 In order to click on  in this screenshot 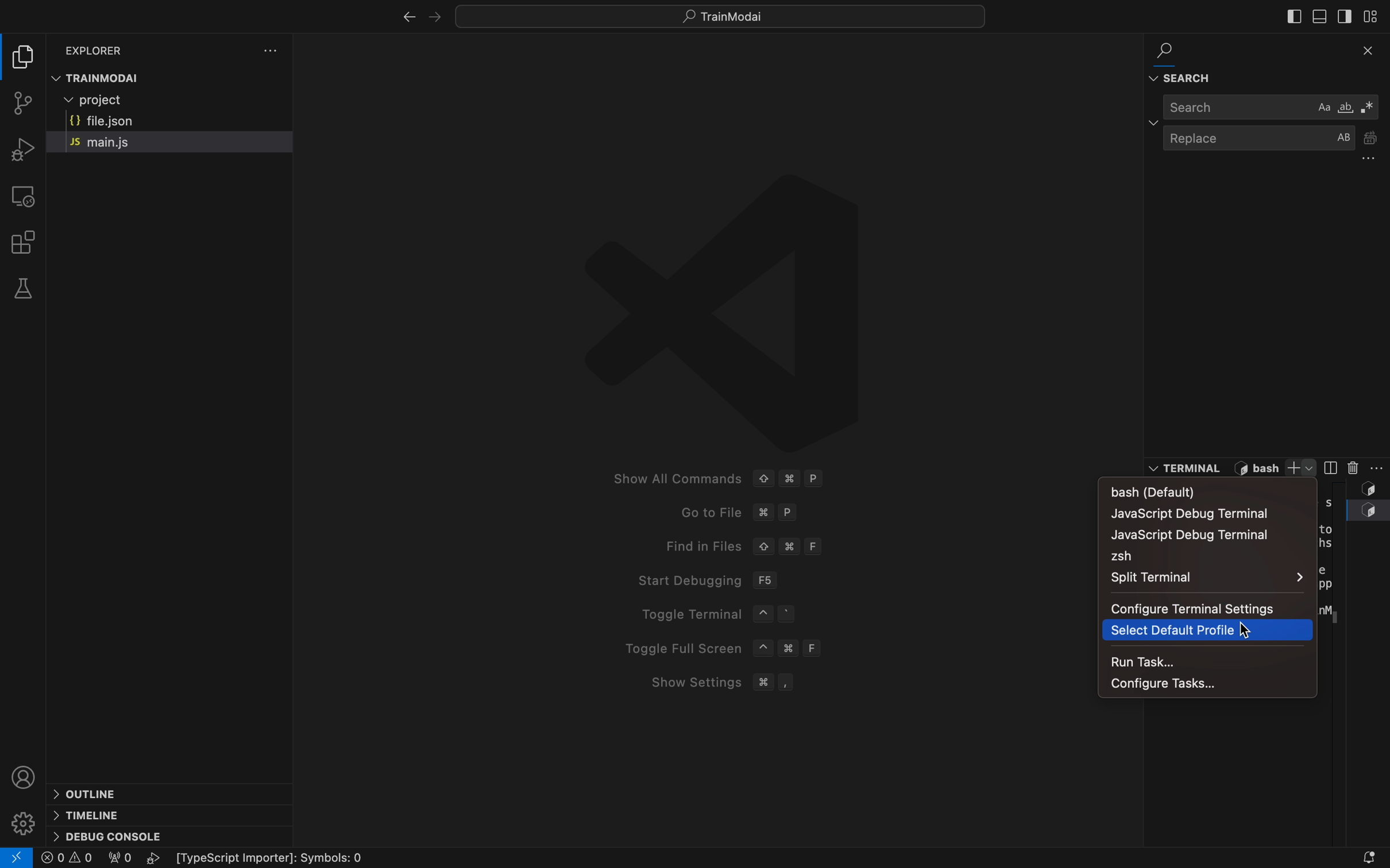, I will do `click(1203, 684)`.